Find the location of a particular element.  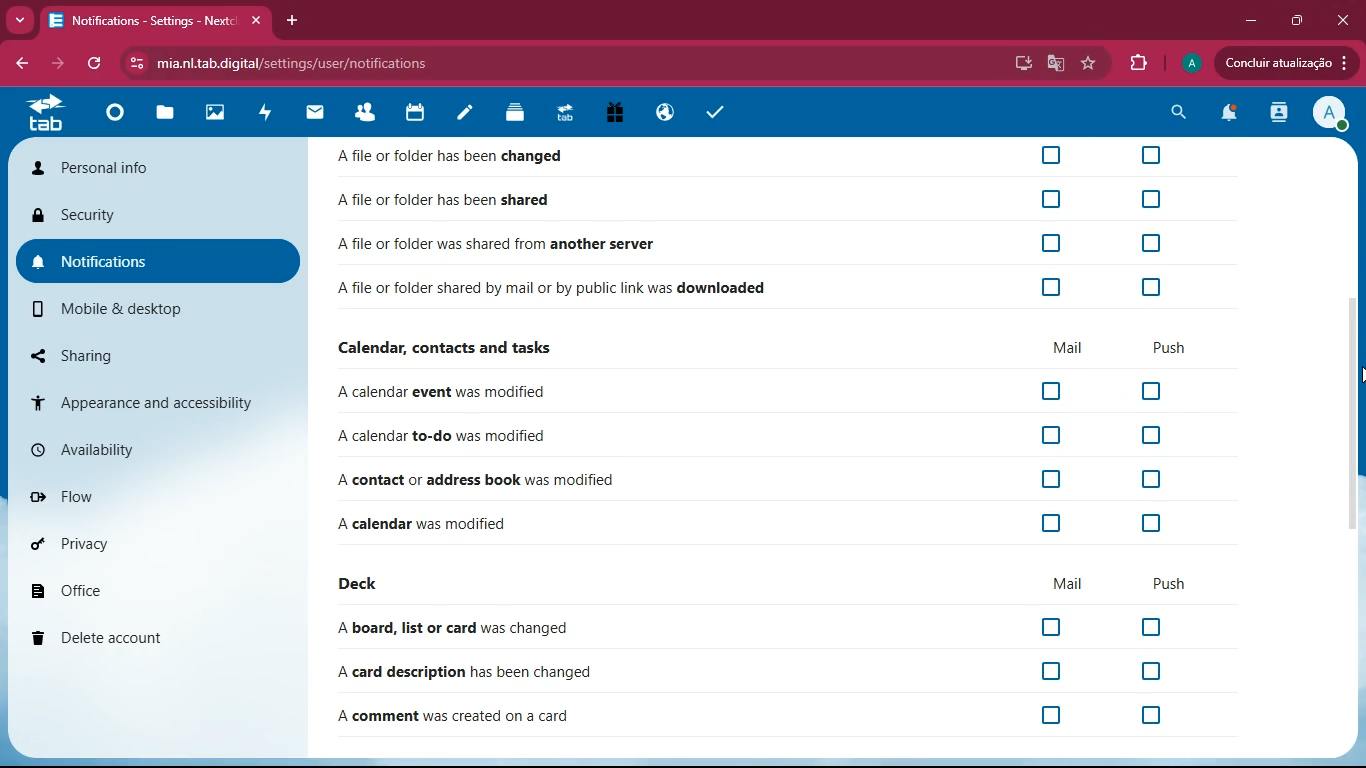

Afile or folder was shared from another server is located at coordinates (496, 245).